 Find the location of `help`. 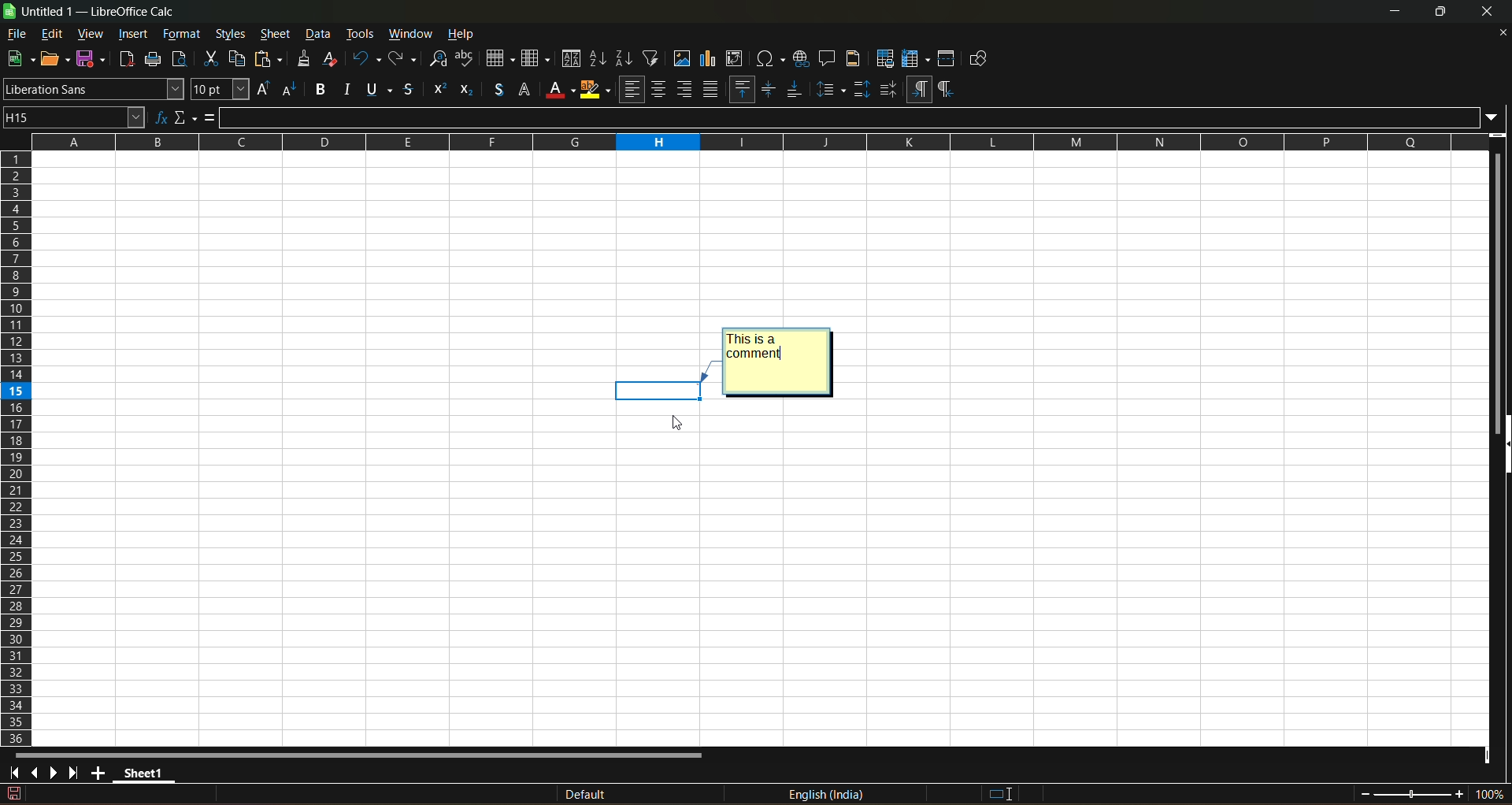

help is located at coordinates (462, 35).